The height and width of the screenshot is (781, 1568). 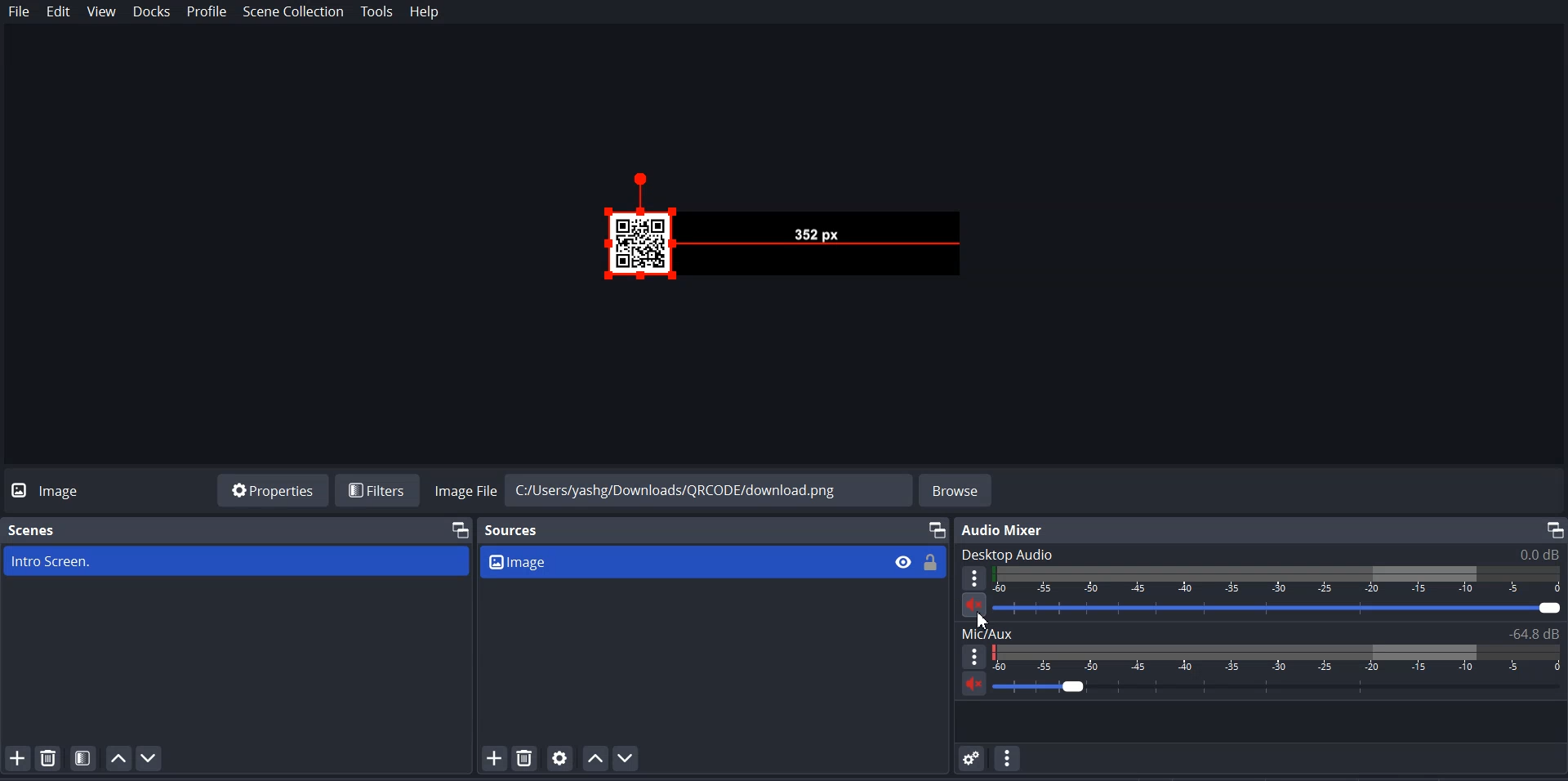 What do you see at coordinates (58, 11) in the screenshot?
I see `Edit` at bounding box center [58, 11].